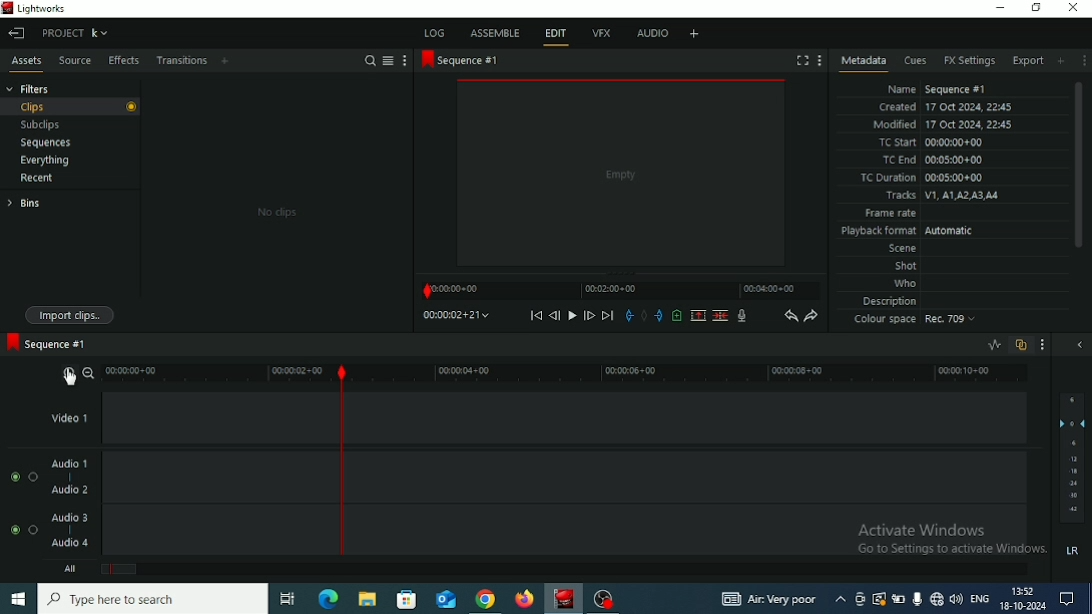  I want to click on Audio 4, so click(69, 543).